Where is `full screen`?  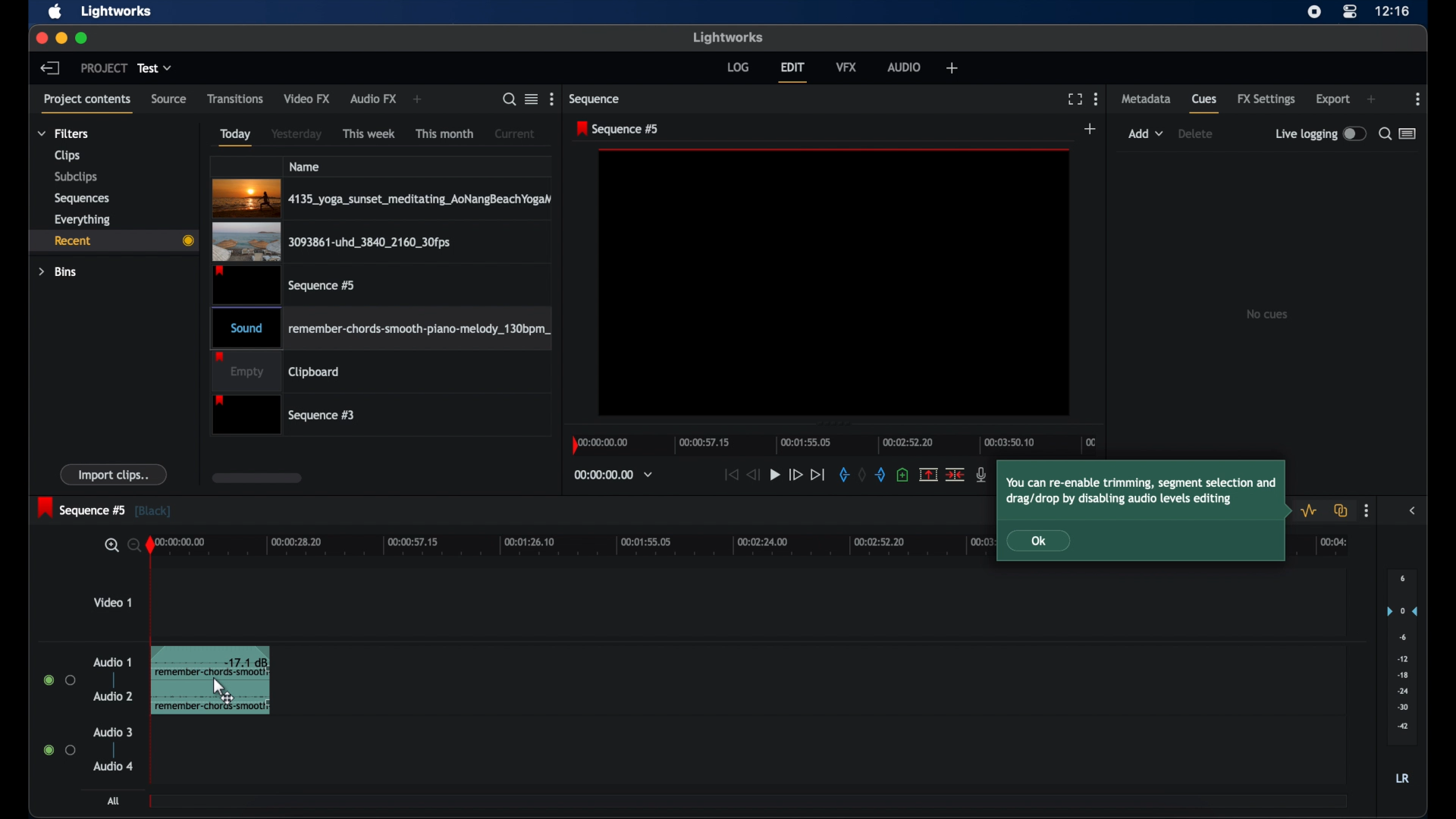 full screen is located at coordinates (1075, 99).